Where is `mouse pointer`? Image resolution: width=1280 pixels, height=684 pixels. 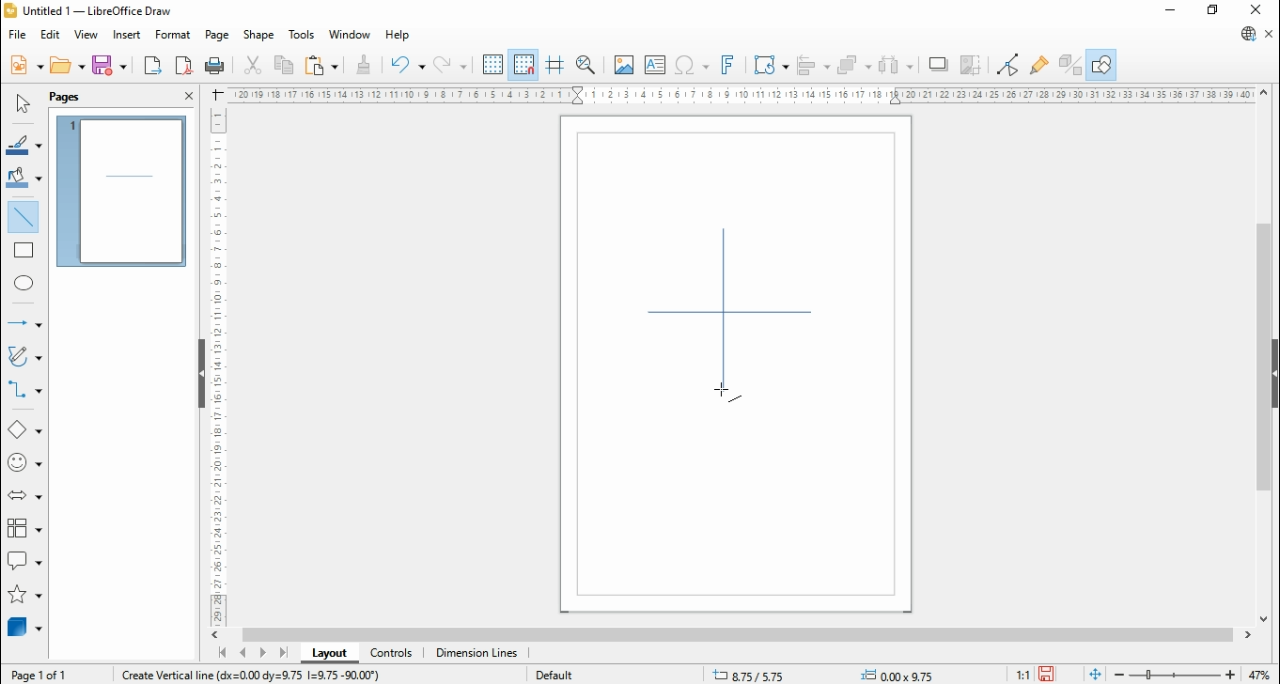 mouse pointer is located at coordinates (725, 389).